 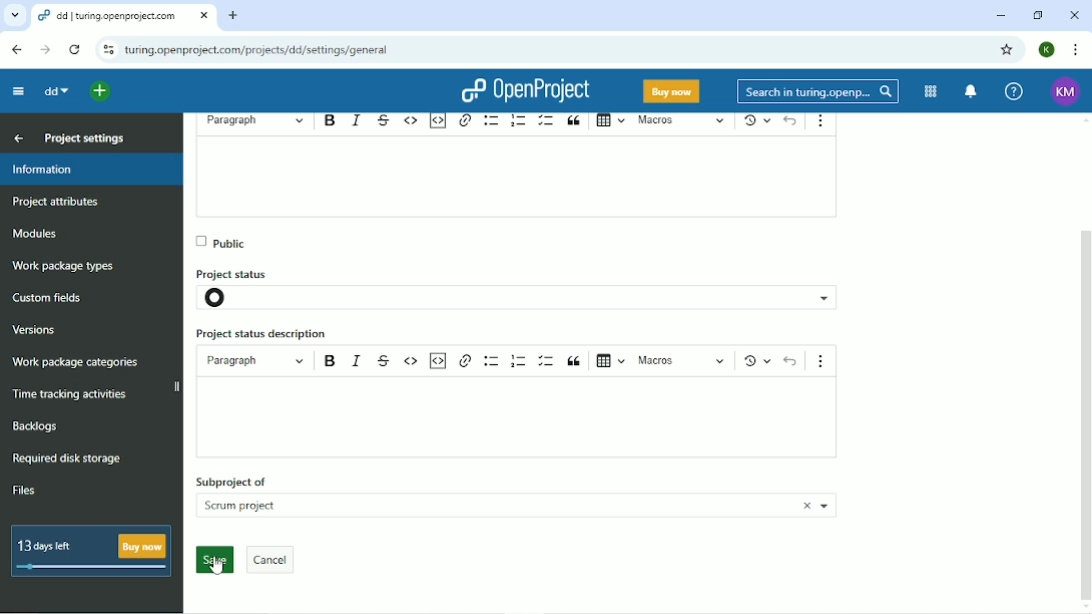 I want to click on Undo, so click(x=791, y=120).